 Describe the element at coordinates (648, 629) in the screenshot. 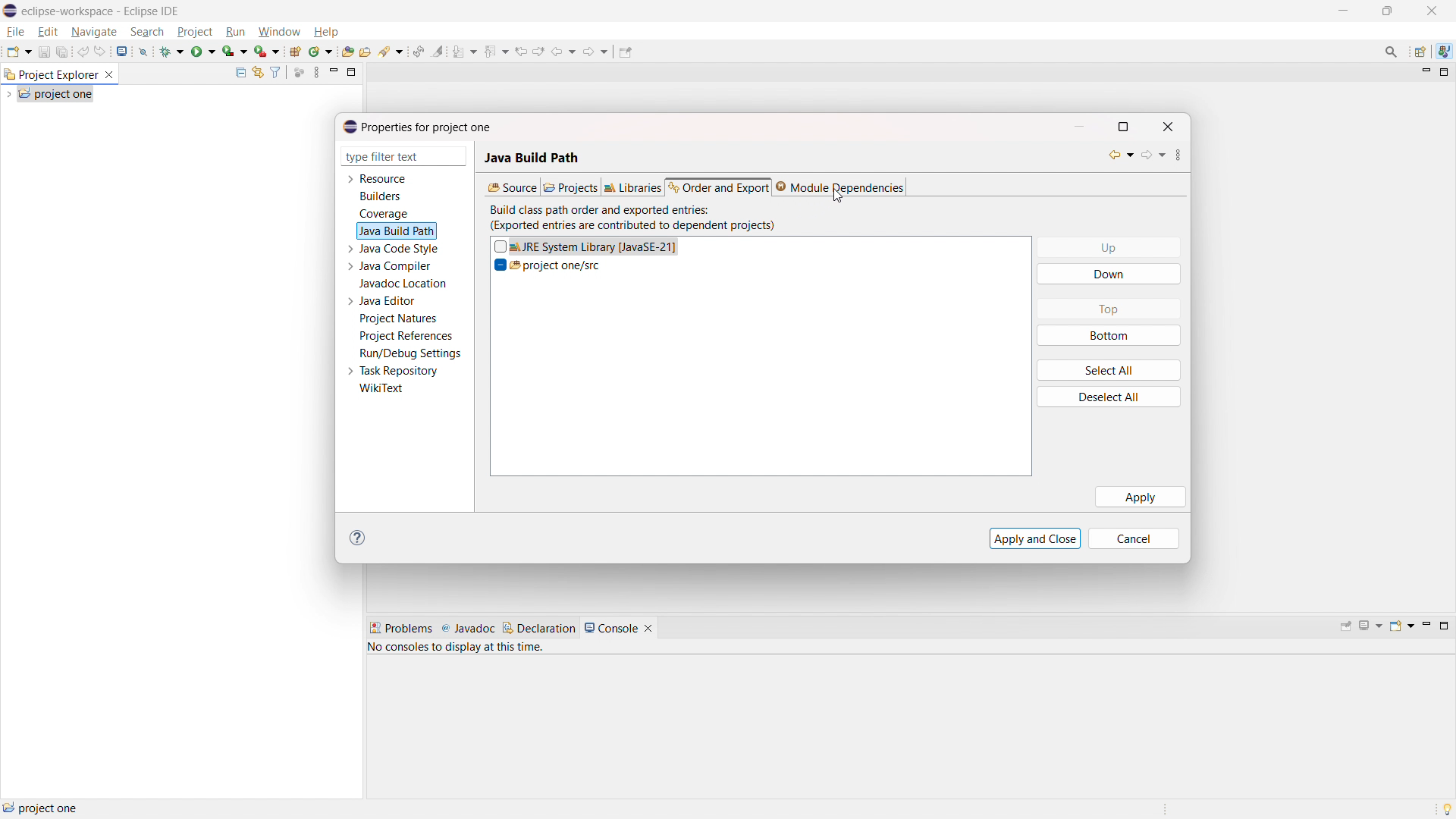

I see `close console` at that location.